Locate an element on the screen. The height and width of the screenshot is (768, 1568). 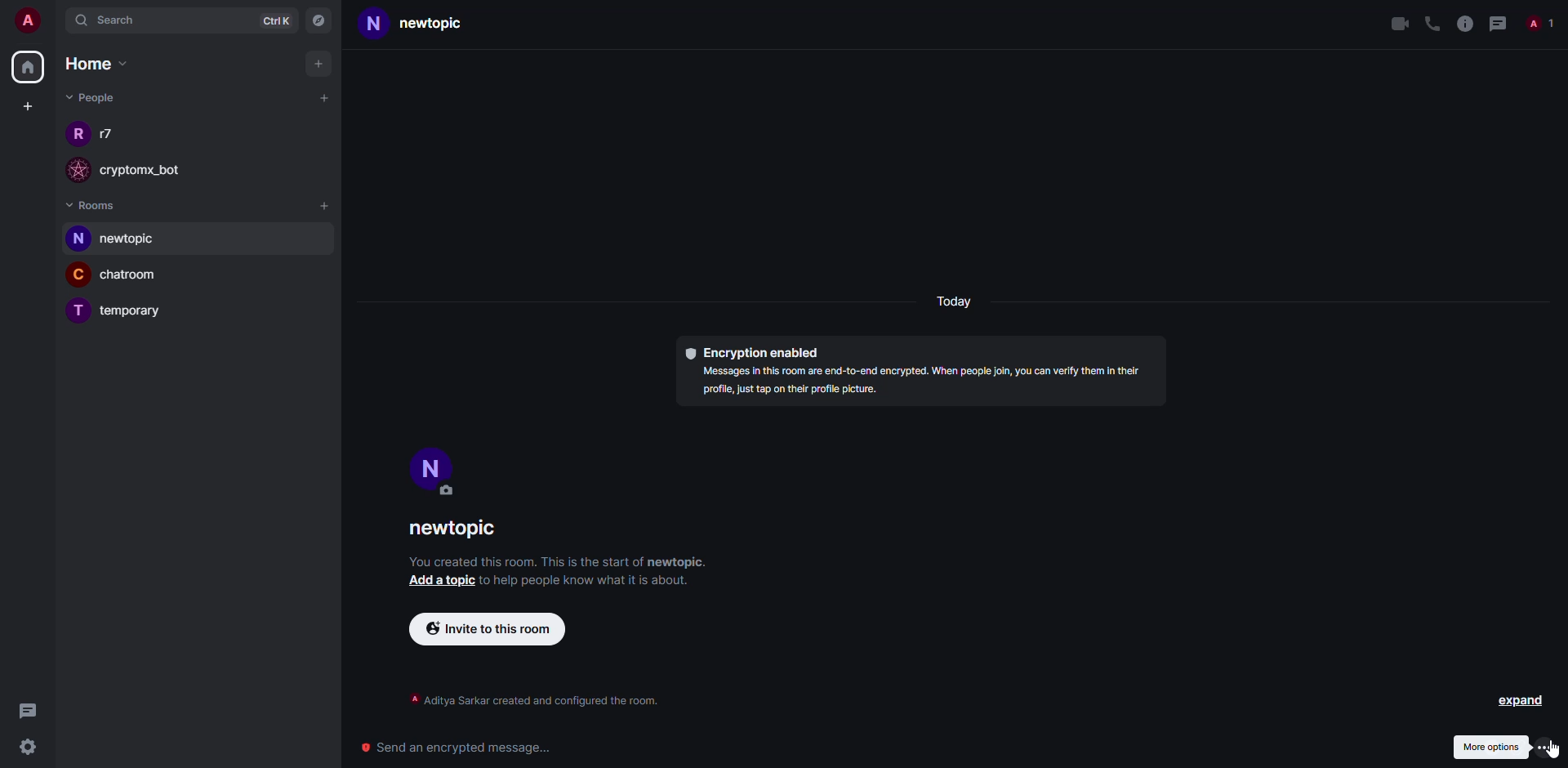
profile image is located at coordinates (79, 170).